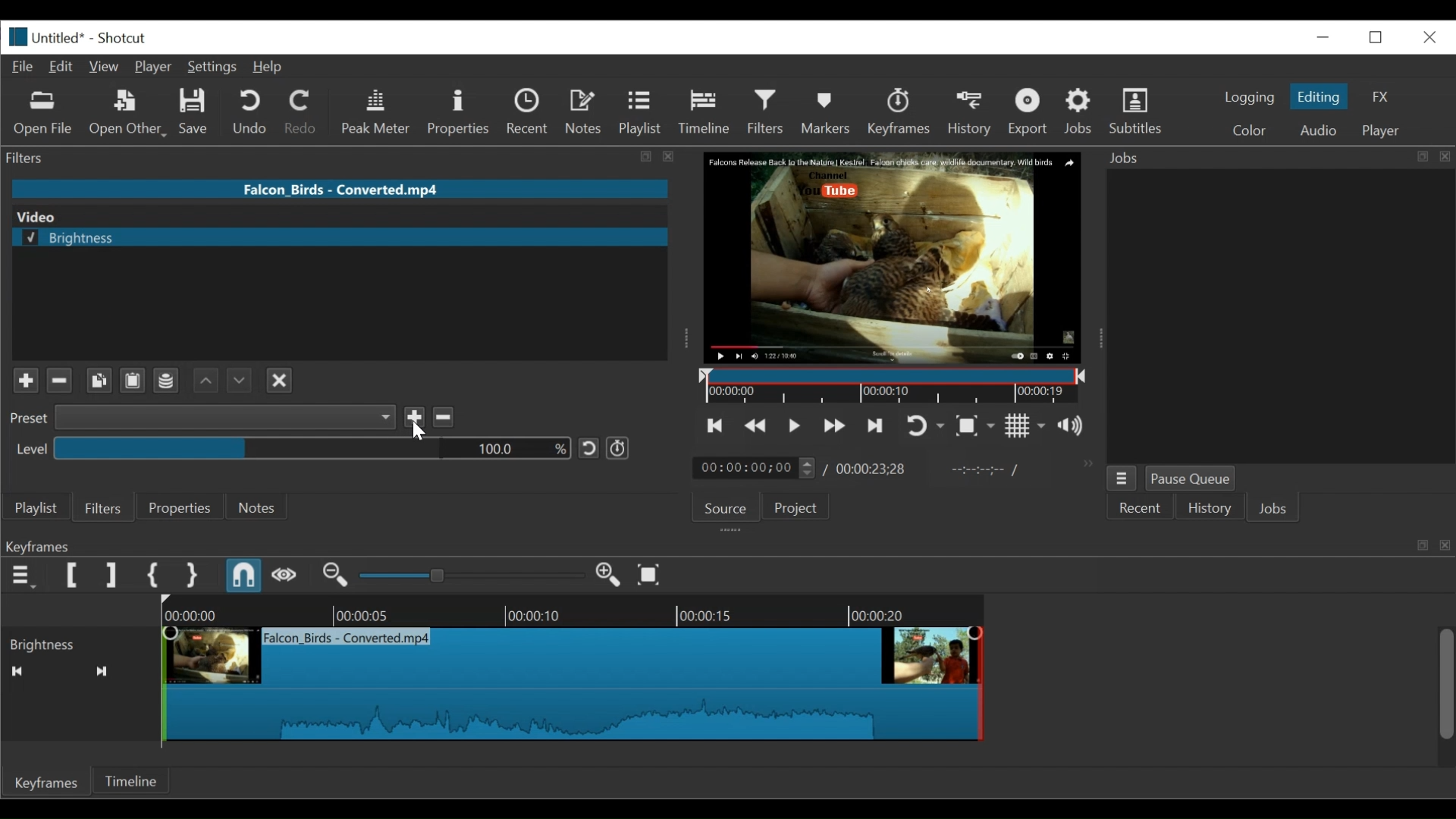 This screenshot has height=819, width=1456. Describe the element at coordinates (36, 509) in the screenshot. I see `Playlist menu` at that location.